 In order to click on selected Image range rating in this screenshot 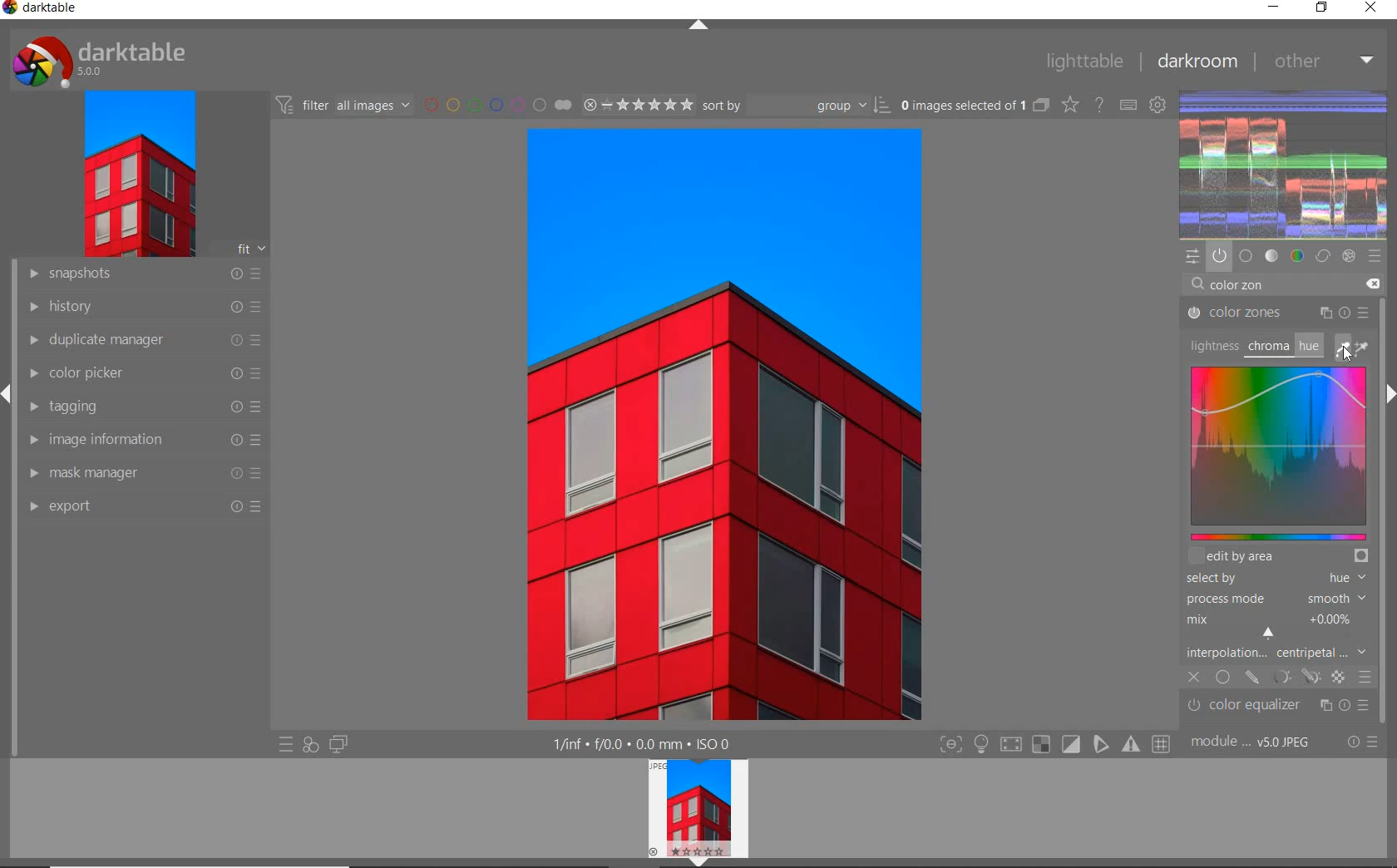, I will do `click(639, 104)`.